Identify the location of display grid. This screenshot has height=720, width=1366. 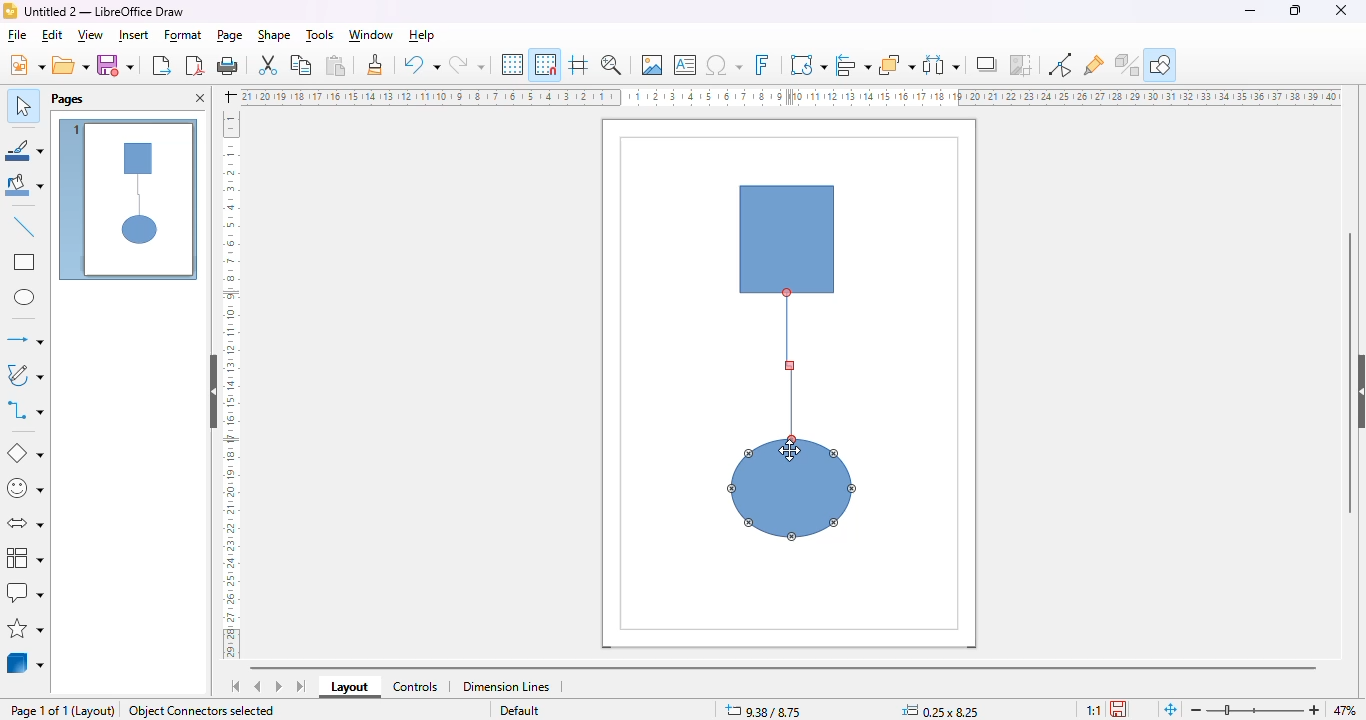
(512, 64).